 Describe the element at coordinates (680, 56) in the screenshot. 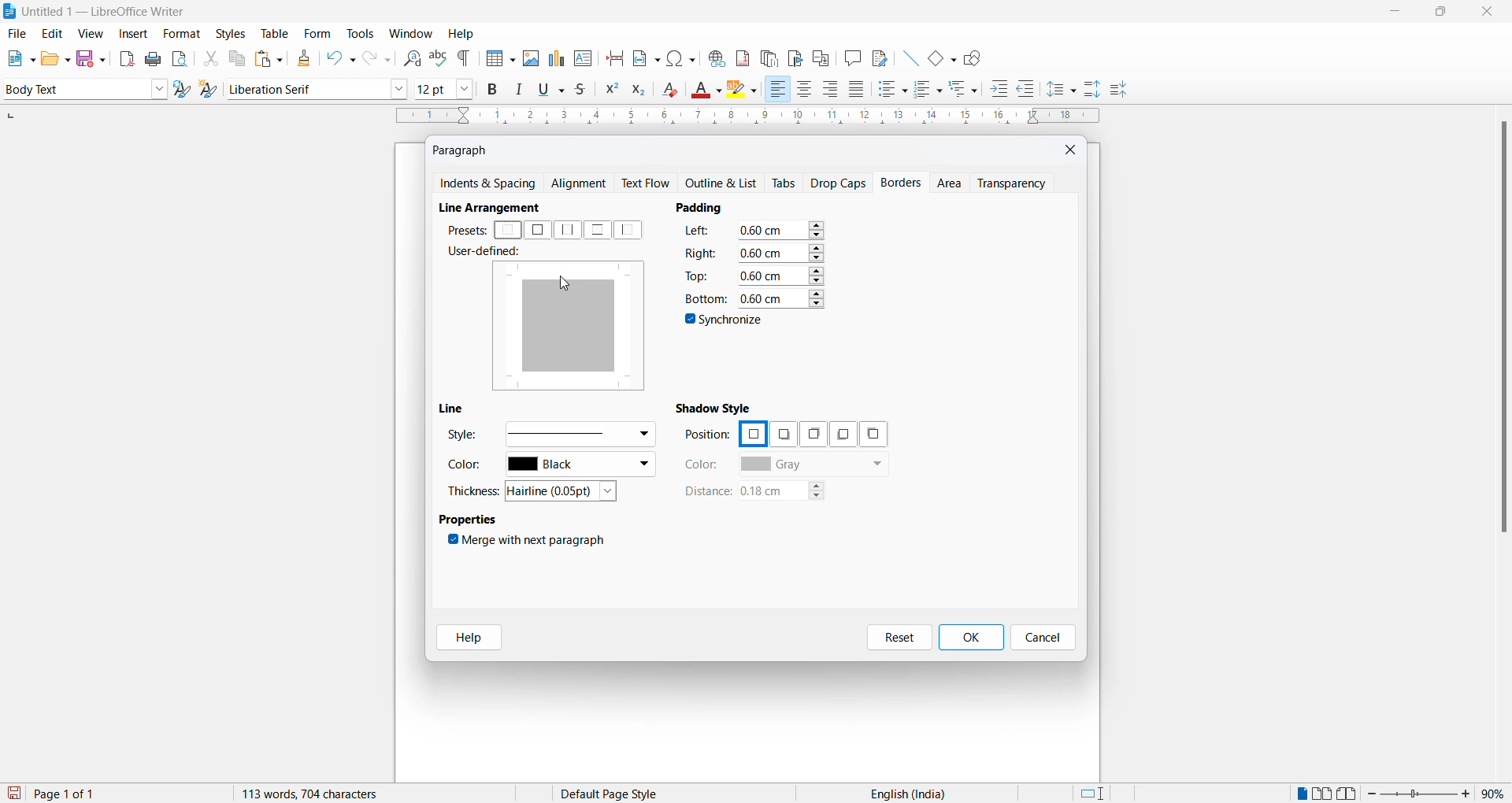

I see `insert special character` at that location.